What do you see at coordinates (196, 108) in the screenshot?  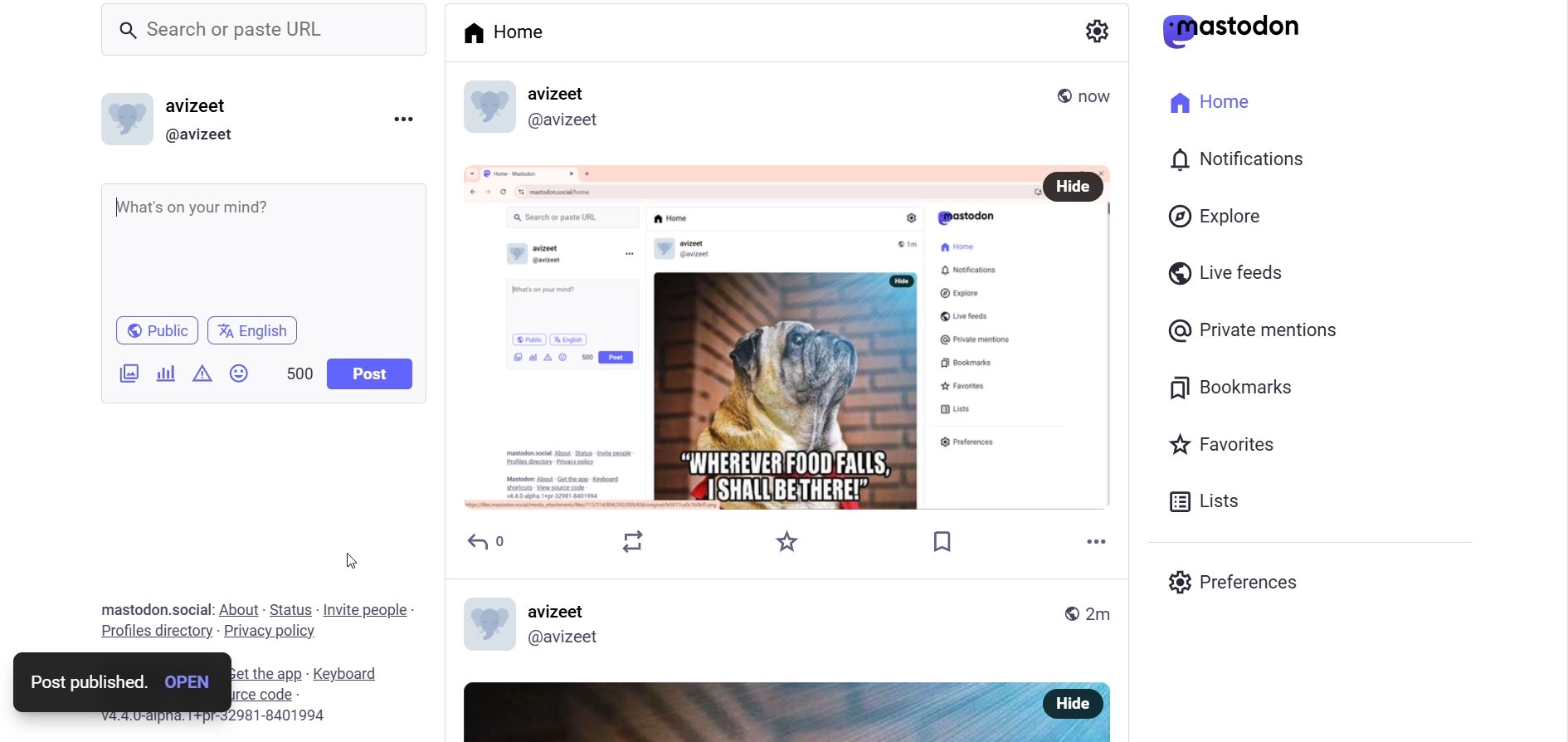 I see `avizeet` at bounding box center [196, 108].